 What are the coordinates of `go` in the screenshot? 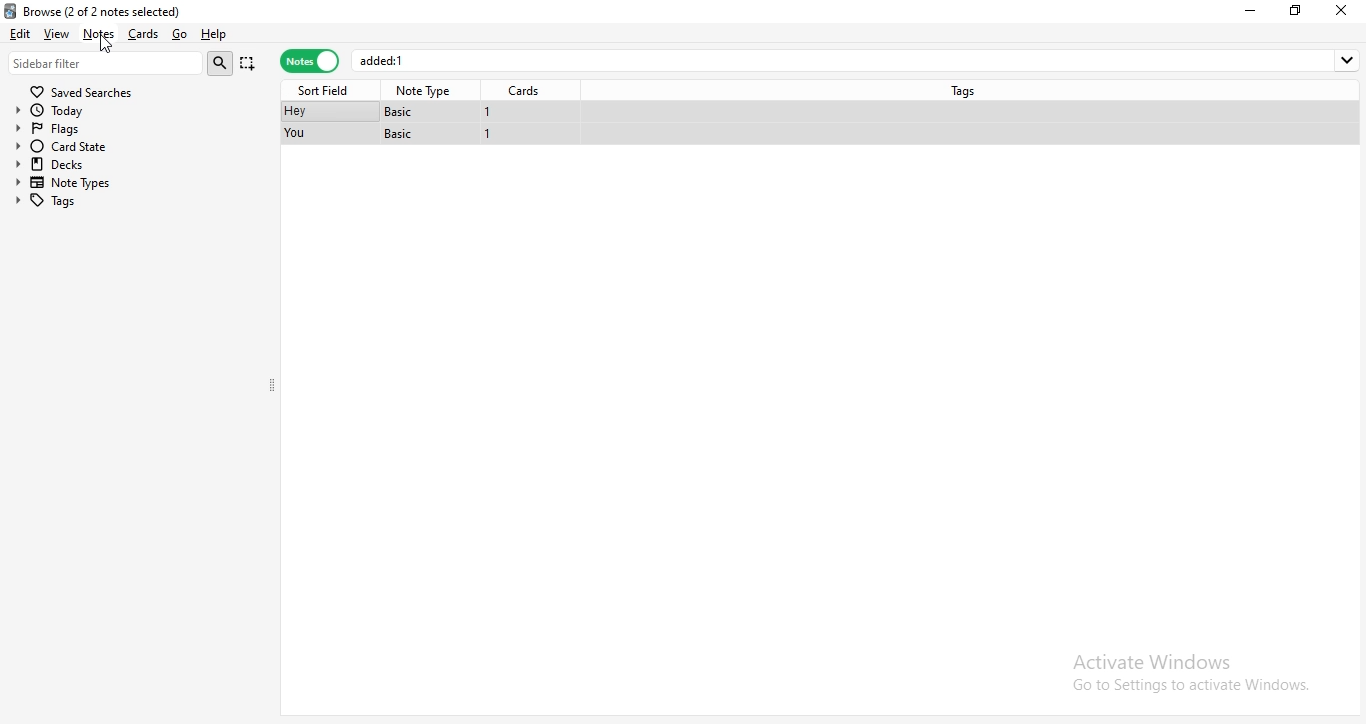 It's located at (178, 35).